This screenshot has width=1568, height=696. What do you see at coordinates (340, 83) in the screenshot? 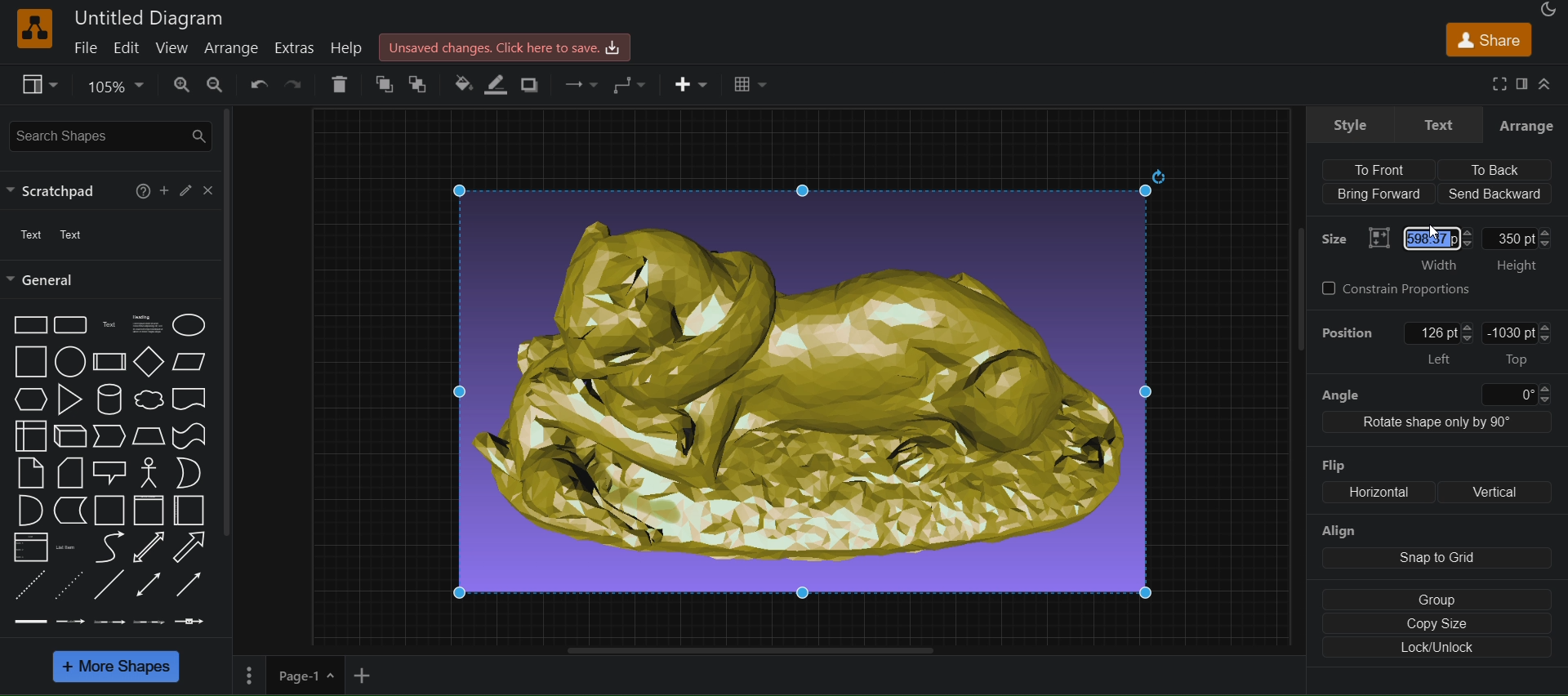
I see `delete` at bounding box center [340, 83].